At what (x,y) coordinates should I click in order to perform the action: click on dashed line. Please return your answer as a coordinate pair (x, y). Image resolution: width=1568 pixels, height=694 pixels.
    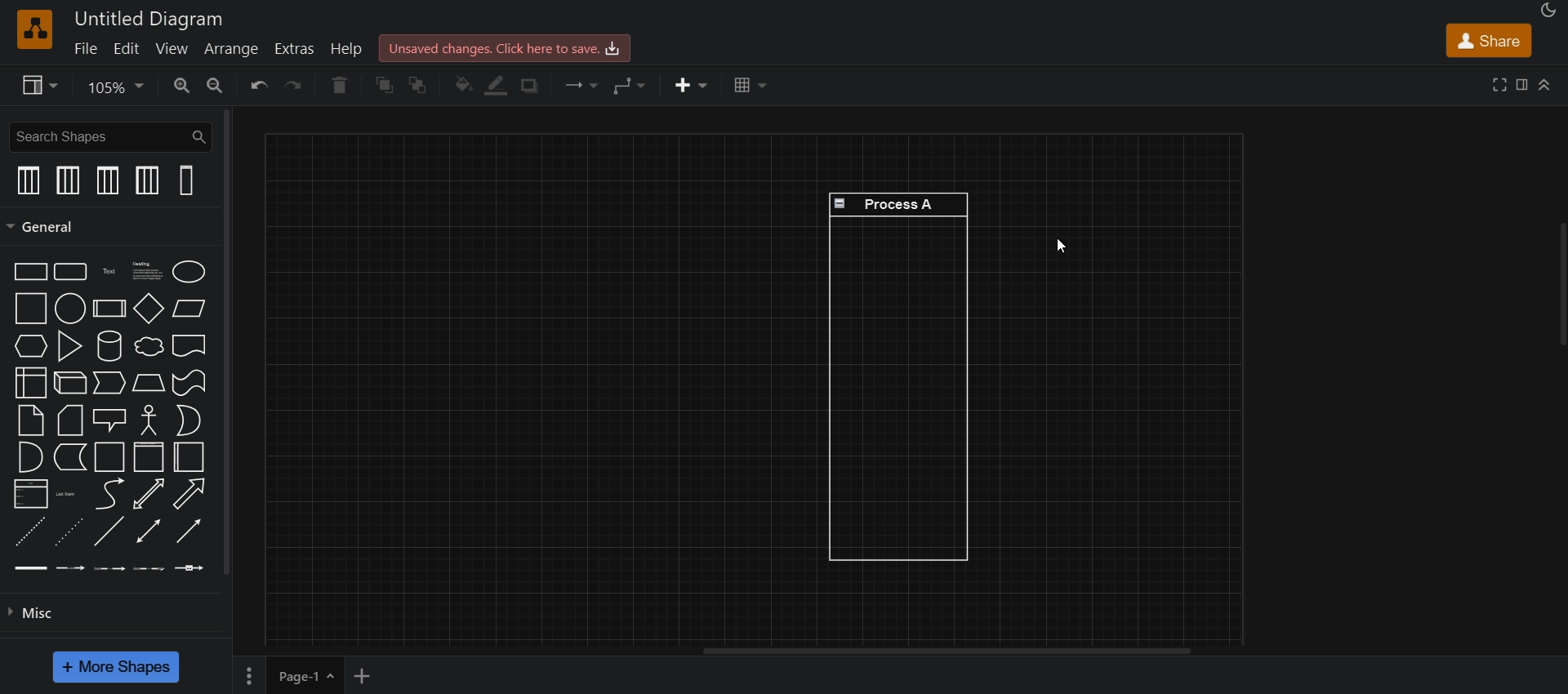
    Looking at the image, I should click on (25, 532).